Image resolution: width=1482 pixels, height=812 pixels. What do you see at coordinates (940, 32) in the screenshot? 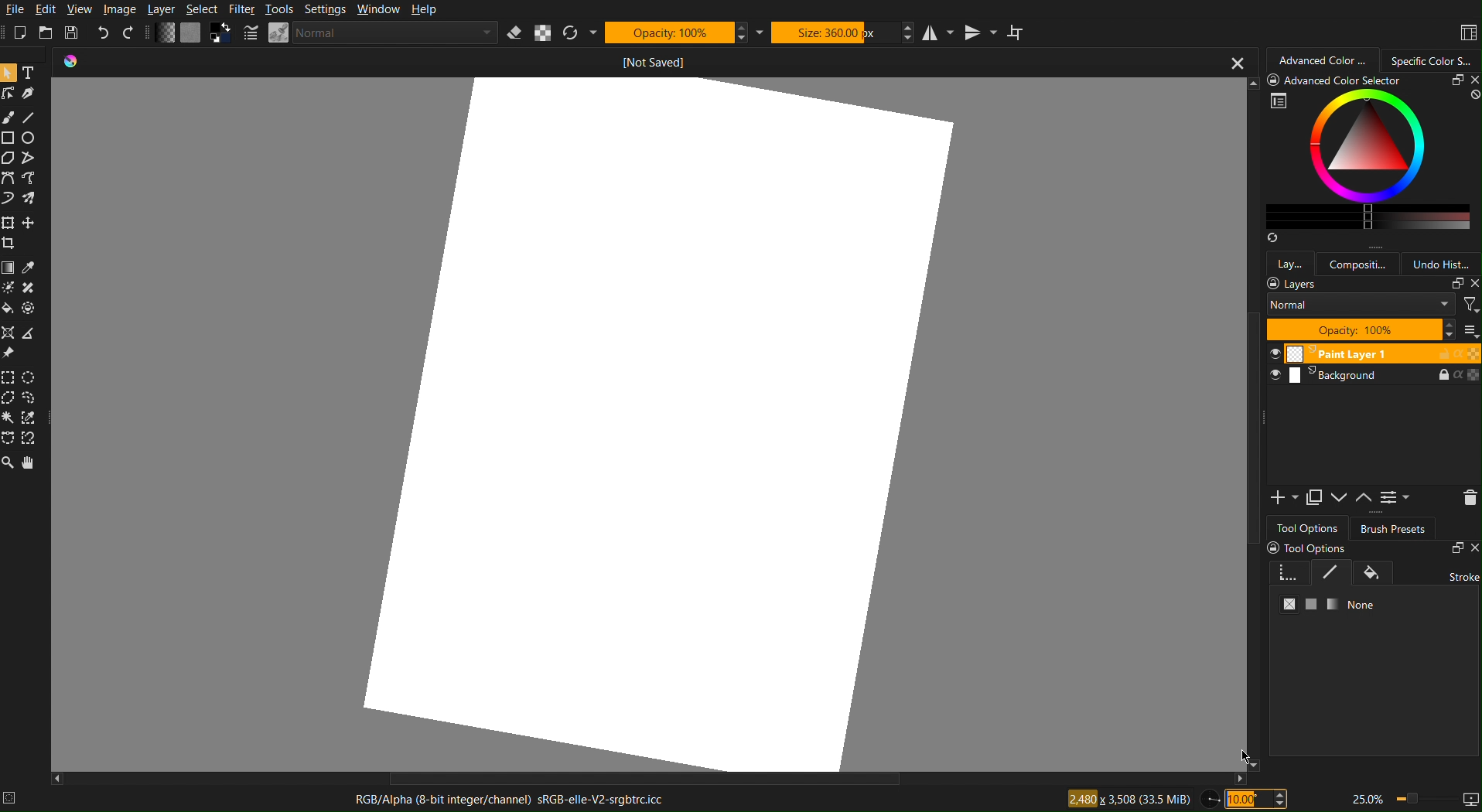
I see `Horizontal Mirror` at bounding box center [940, 32].